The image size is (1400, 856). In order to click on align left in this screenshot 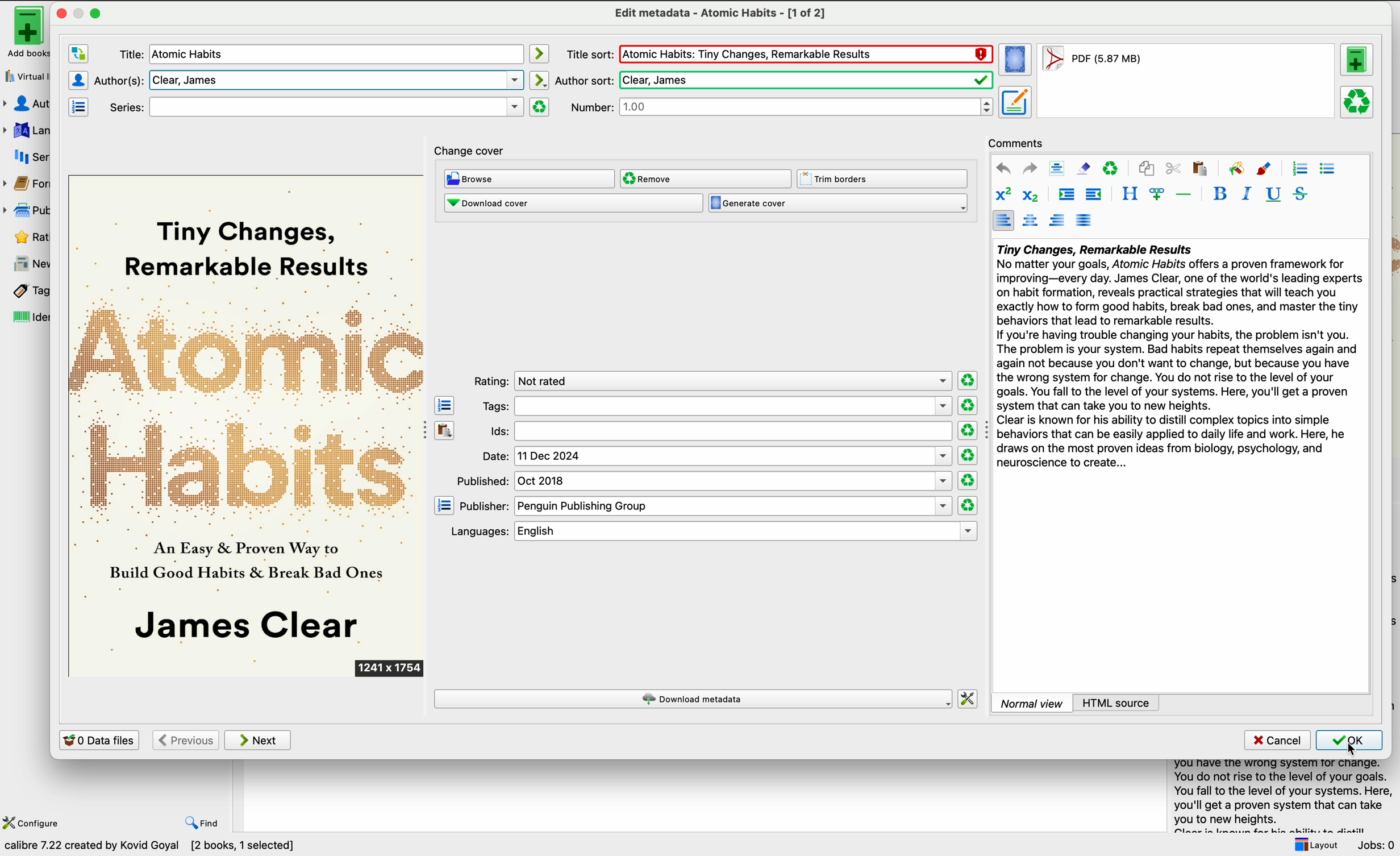, I will do `click(1003, 220)`.